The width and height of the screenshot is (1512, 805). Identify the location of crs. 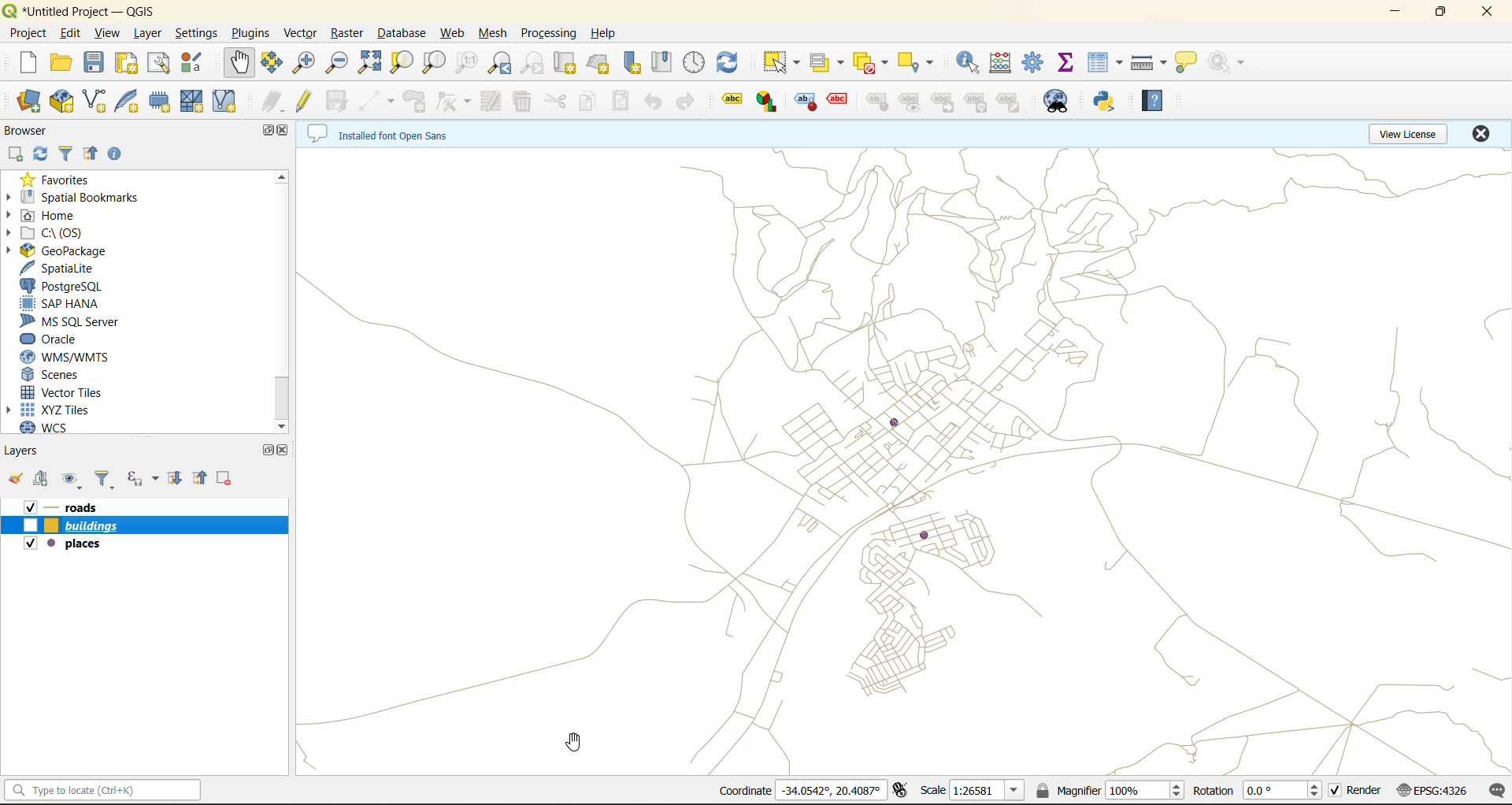
(1436, 792).